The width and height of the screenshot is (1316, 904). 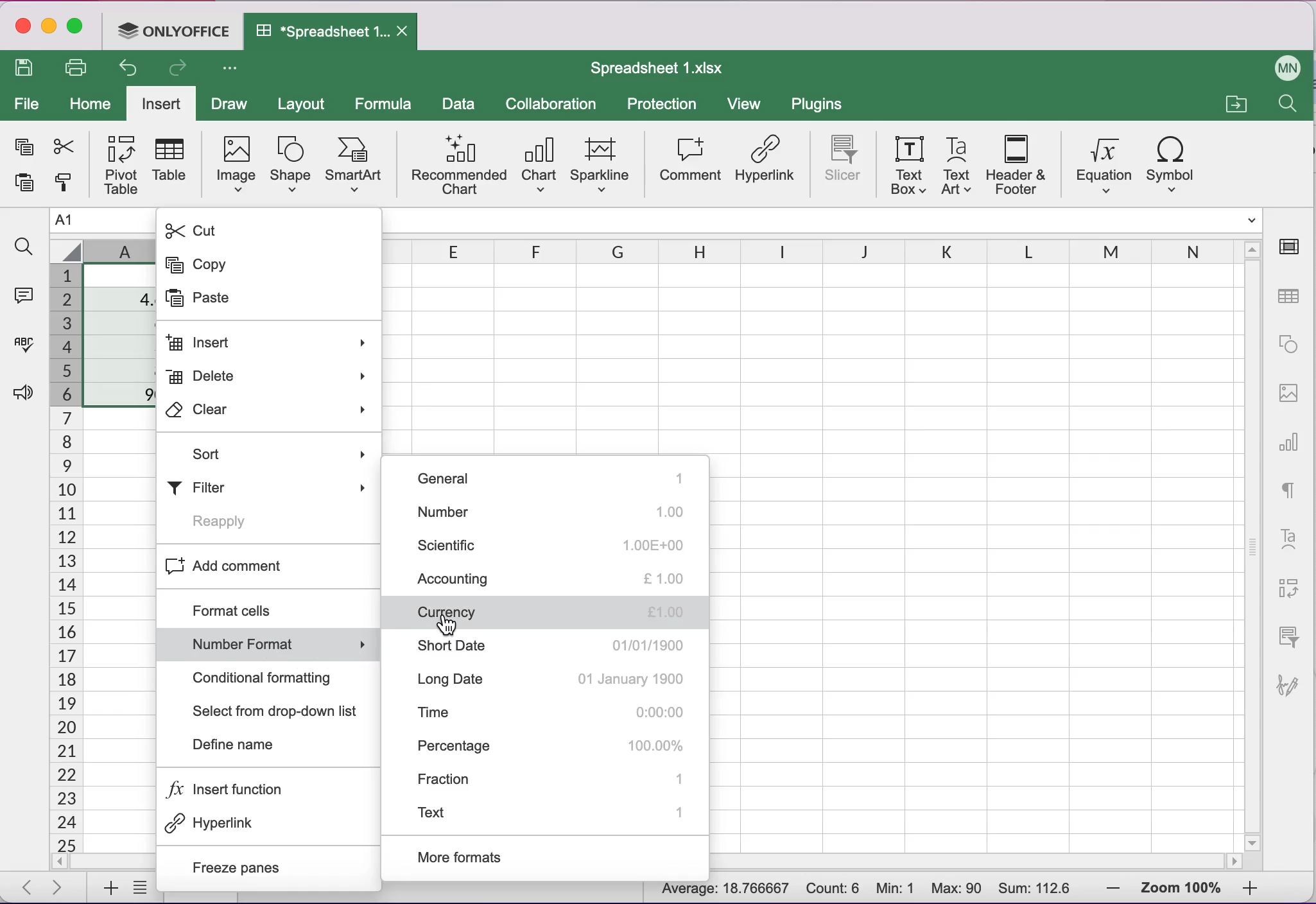 What do you see at coordinates (173, 164) in the screenshot?
I see `table` at bounding box center [173, 164].